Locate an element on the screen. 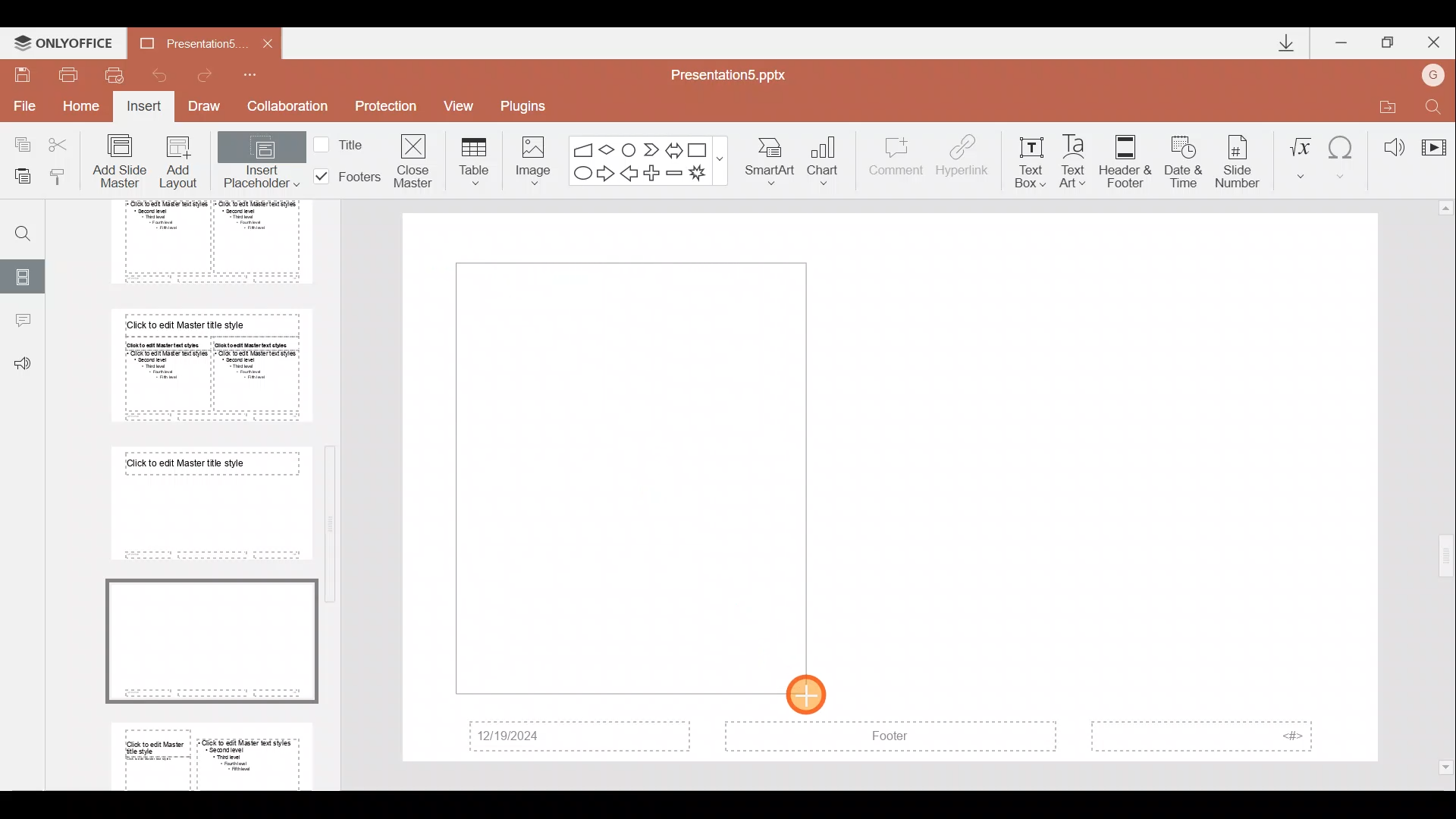 This screenshot has width=1456, height=819. Add slide master is located at coordinates (123, 162).